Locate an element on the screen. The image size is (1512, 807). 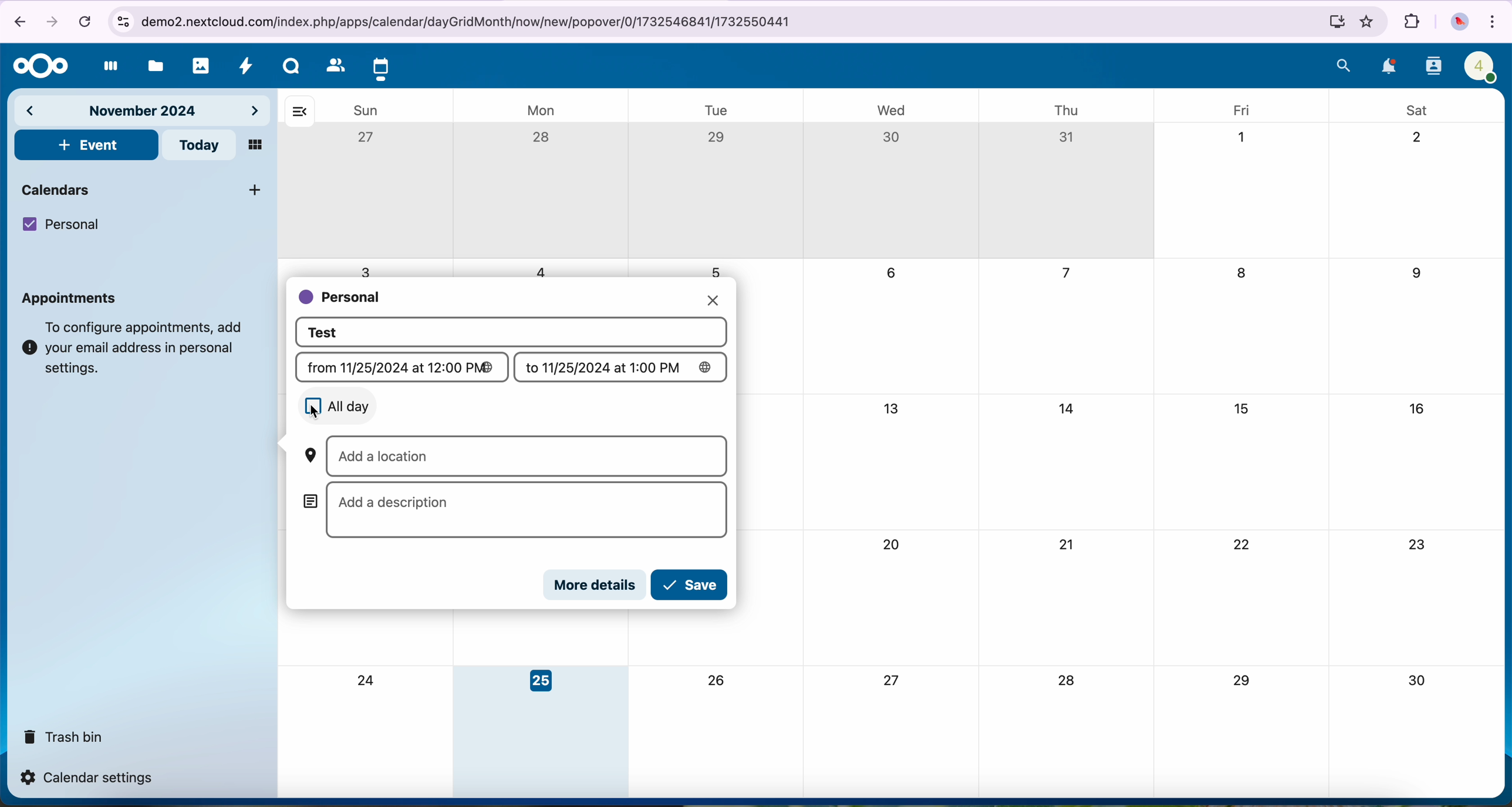
URL is located at coordinates (471, 21).